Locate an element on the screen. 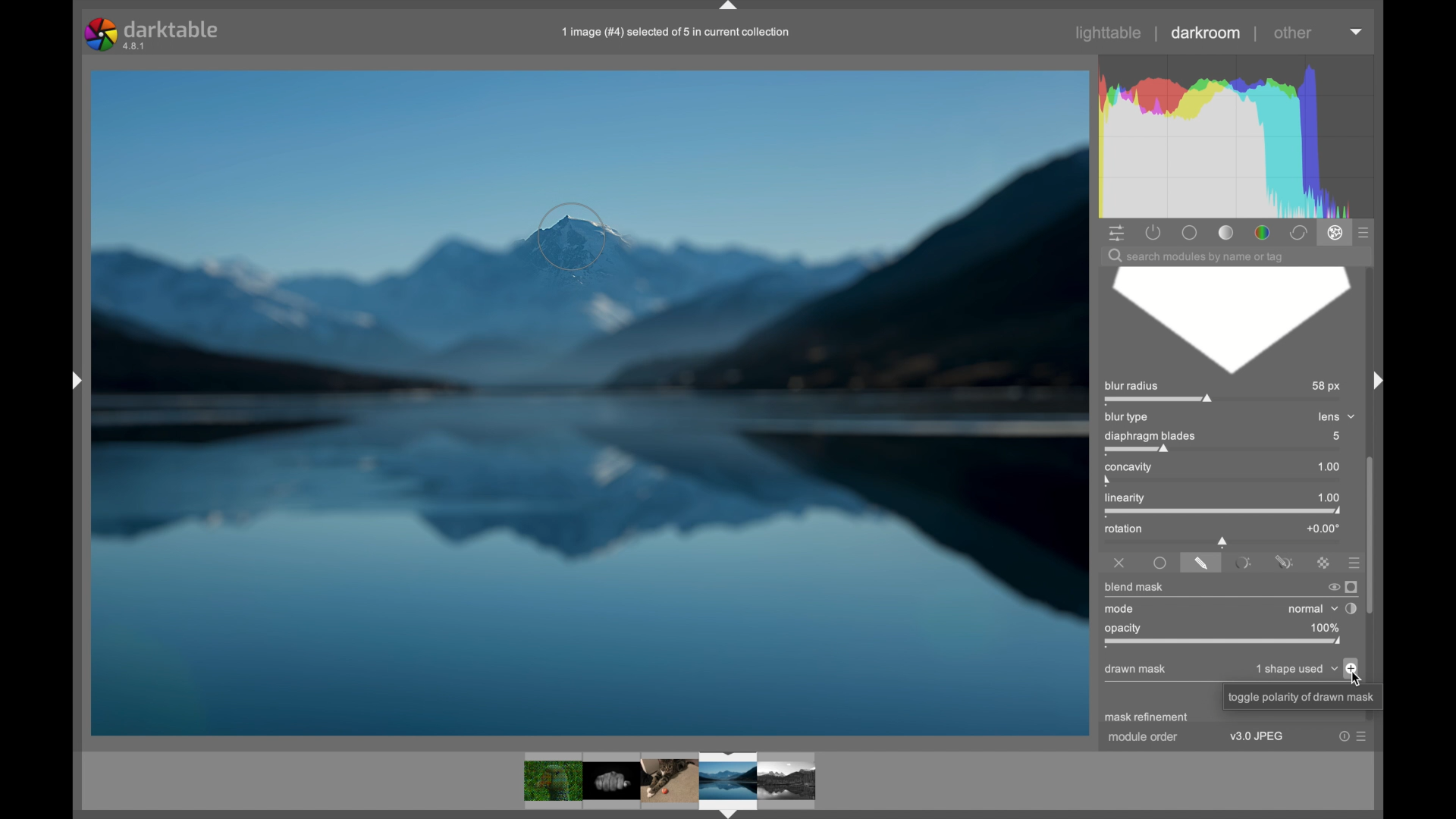 Image resolution: width=1456 pixels, height=819 pixels. no mask used dropdown is located at coordinates (1294, 670).